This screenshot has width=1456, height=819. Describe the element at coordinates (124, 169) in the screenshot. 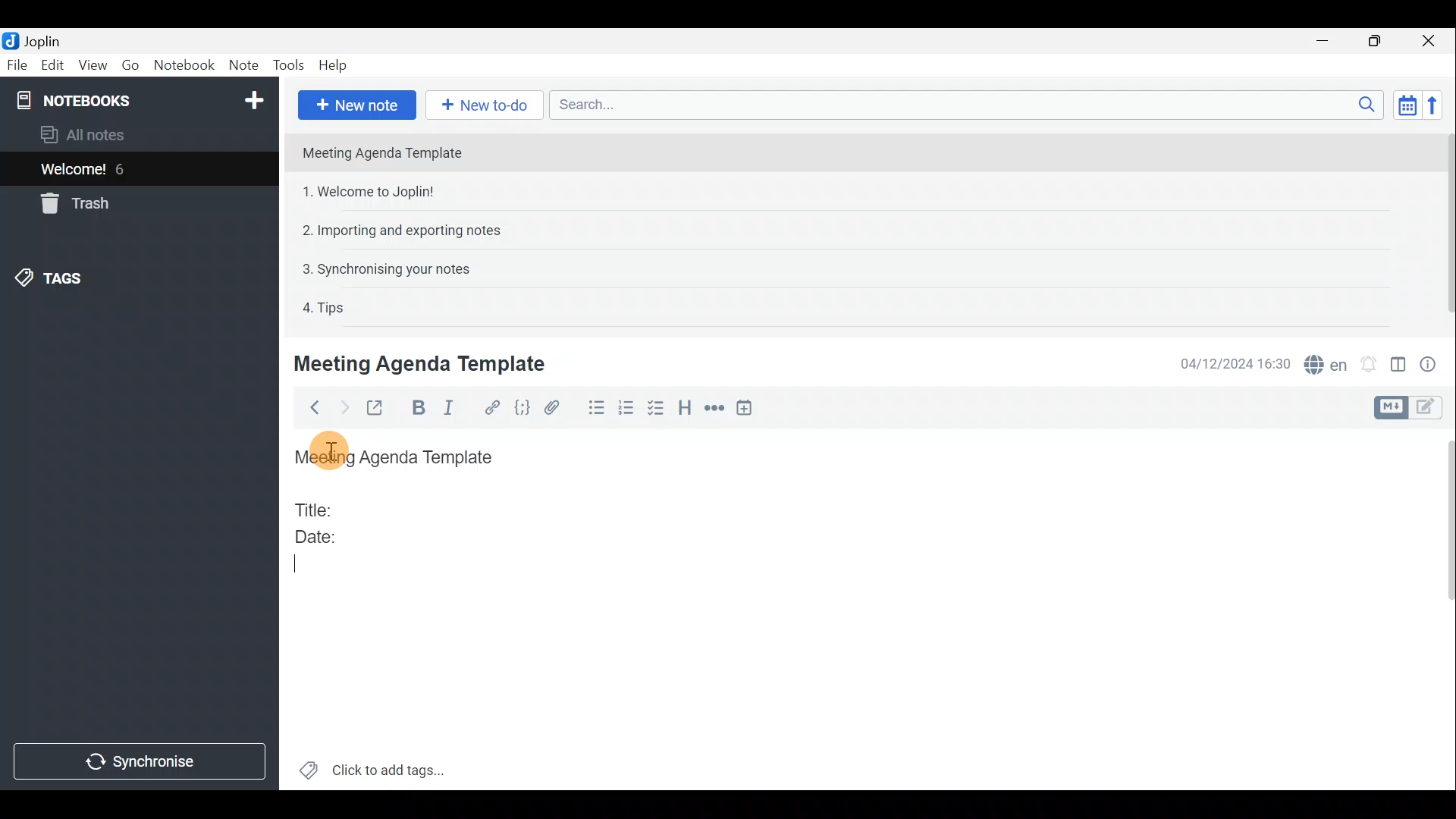

I see `6` at that location.